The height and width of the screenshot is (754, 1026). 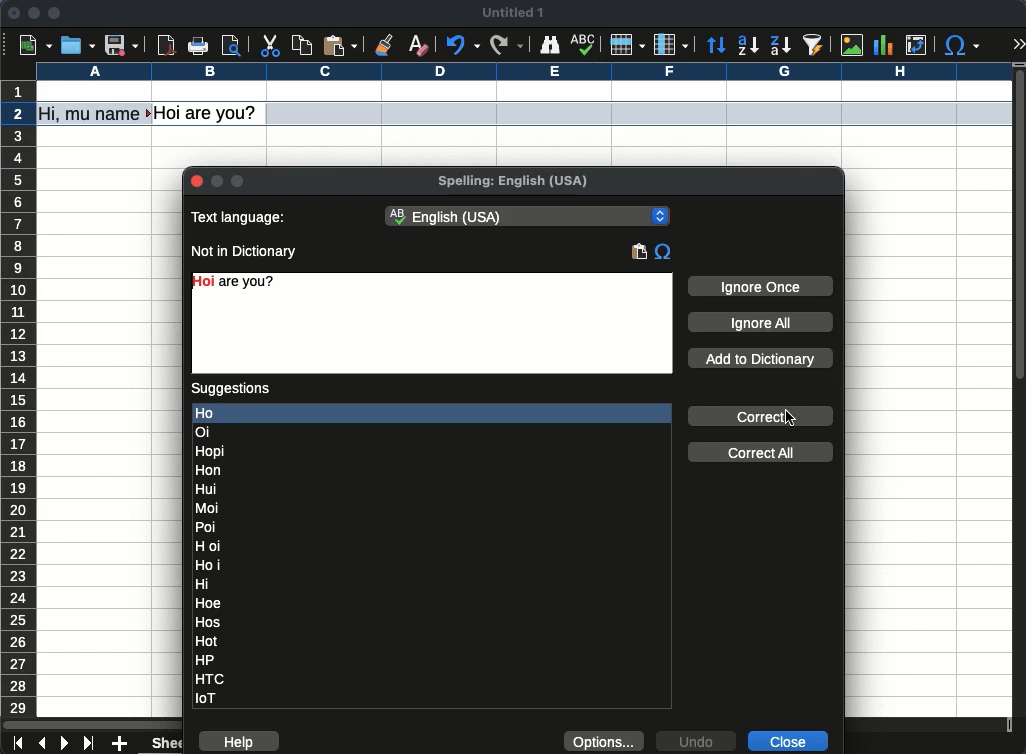 I want to click on first sheet, so click(x=20, y=743).